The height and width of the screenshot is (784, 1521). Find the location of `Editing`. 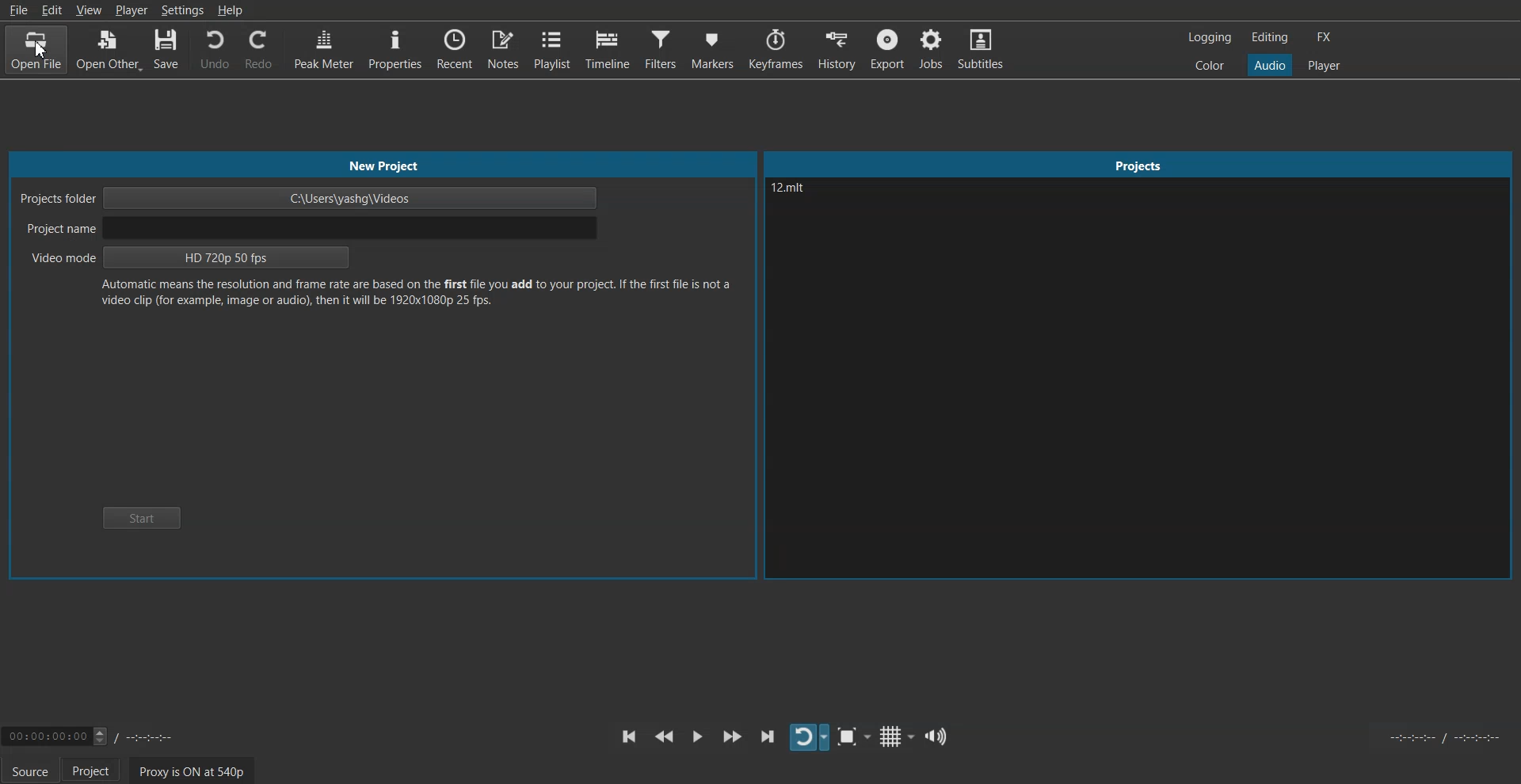

Editing is located at coordinates (1270, 37).